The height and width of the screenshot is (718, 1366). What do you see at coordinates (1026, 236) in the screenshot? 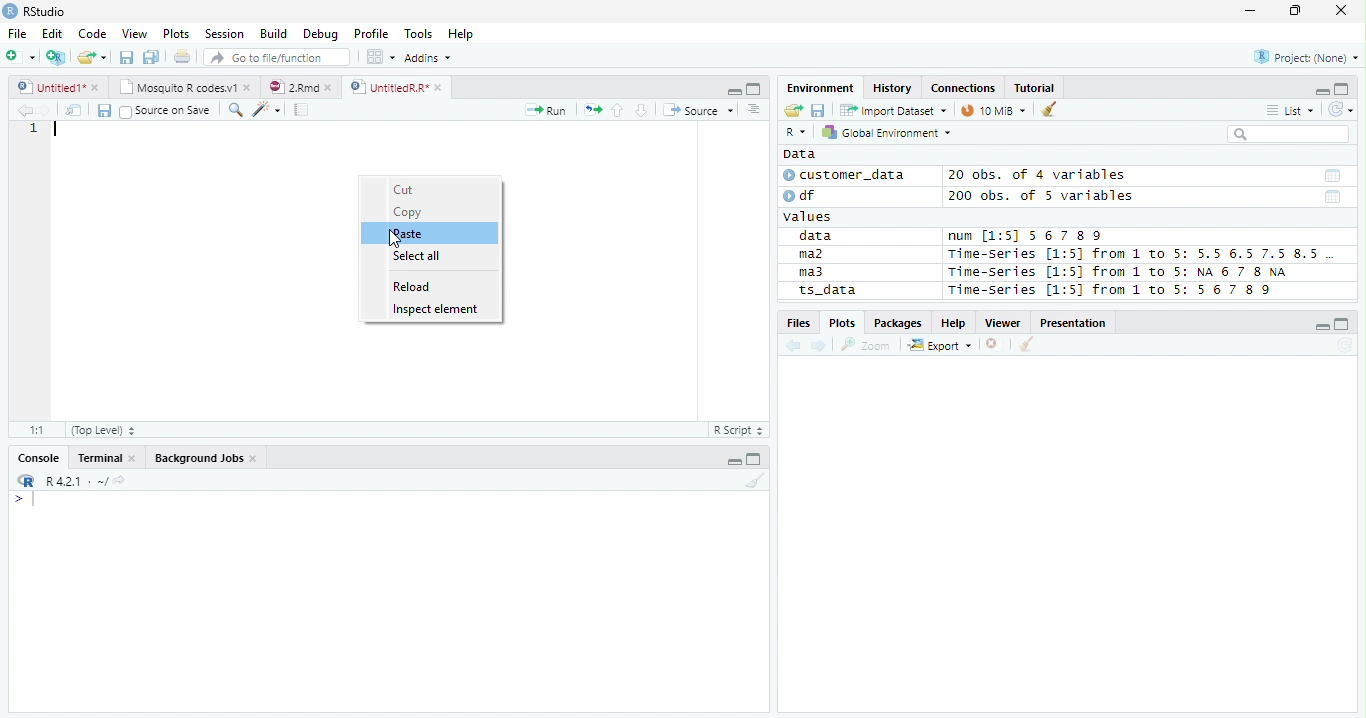
I see `num [1:5] 567 89` at bounding box center [1026, 236].